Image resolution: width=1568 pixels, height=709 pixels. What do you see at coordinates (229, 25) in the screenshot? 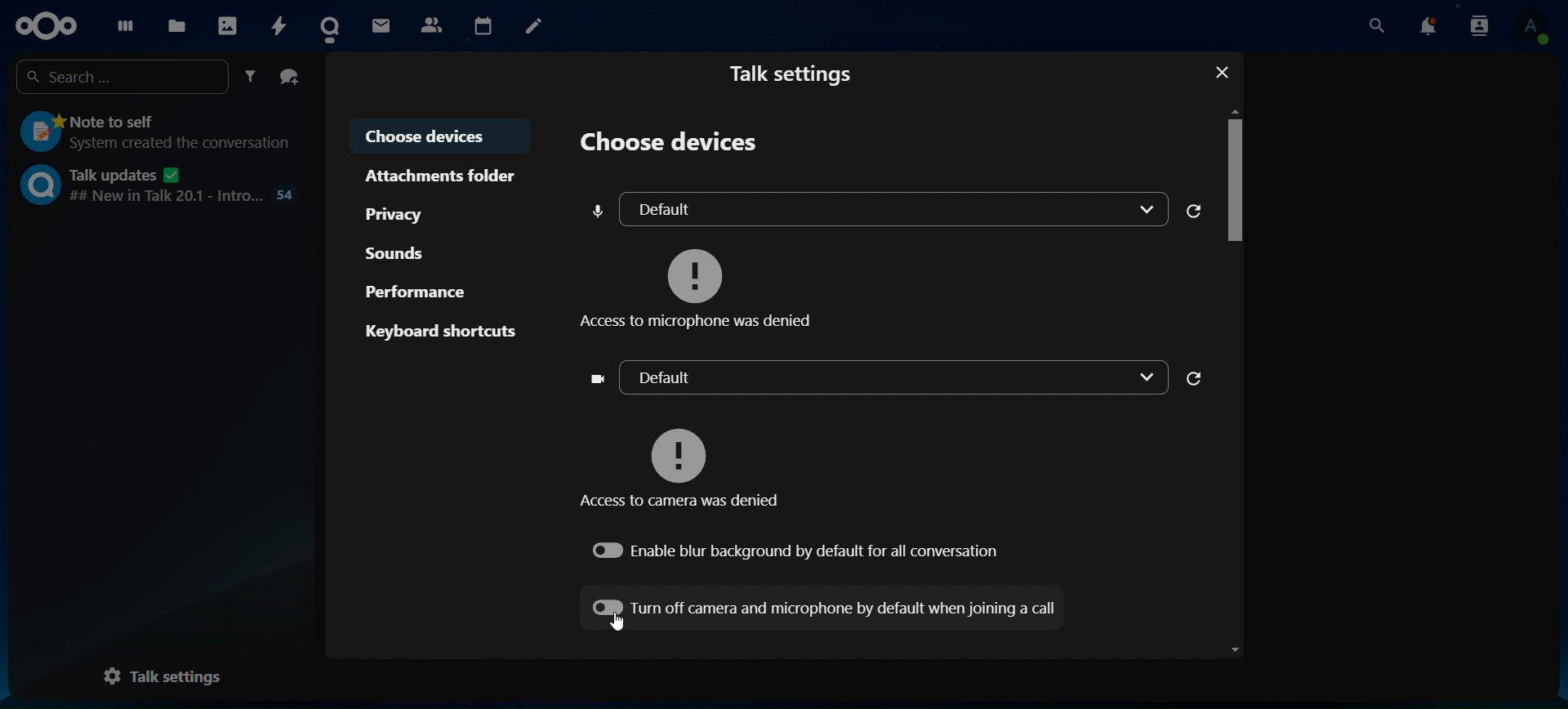
I see `photos` at bounding box center [229, 25].